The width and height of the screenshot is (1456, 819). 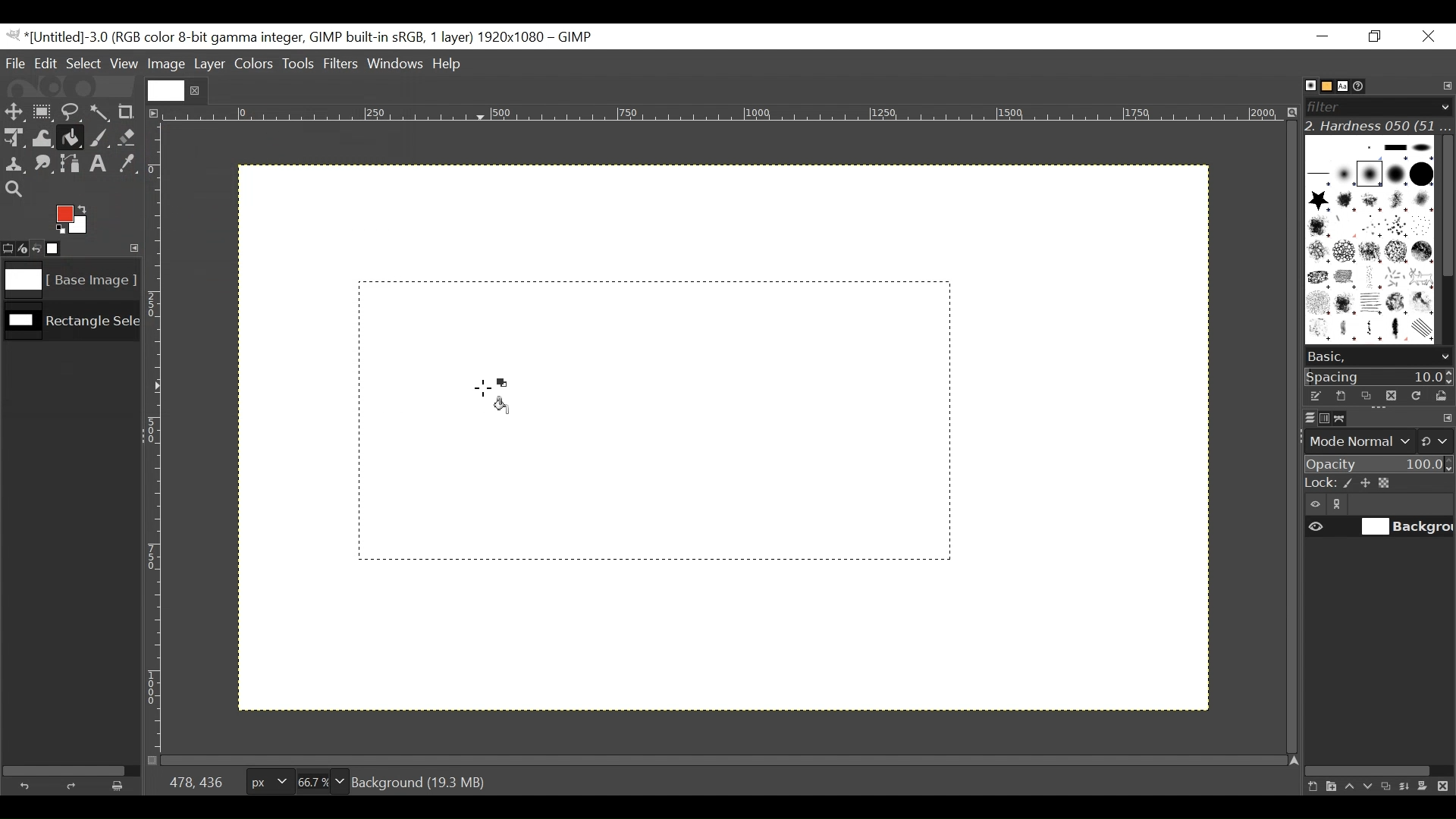 I want to click on Lock, so click(x=1378, y=484).